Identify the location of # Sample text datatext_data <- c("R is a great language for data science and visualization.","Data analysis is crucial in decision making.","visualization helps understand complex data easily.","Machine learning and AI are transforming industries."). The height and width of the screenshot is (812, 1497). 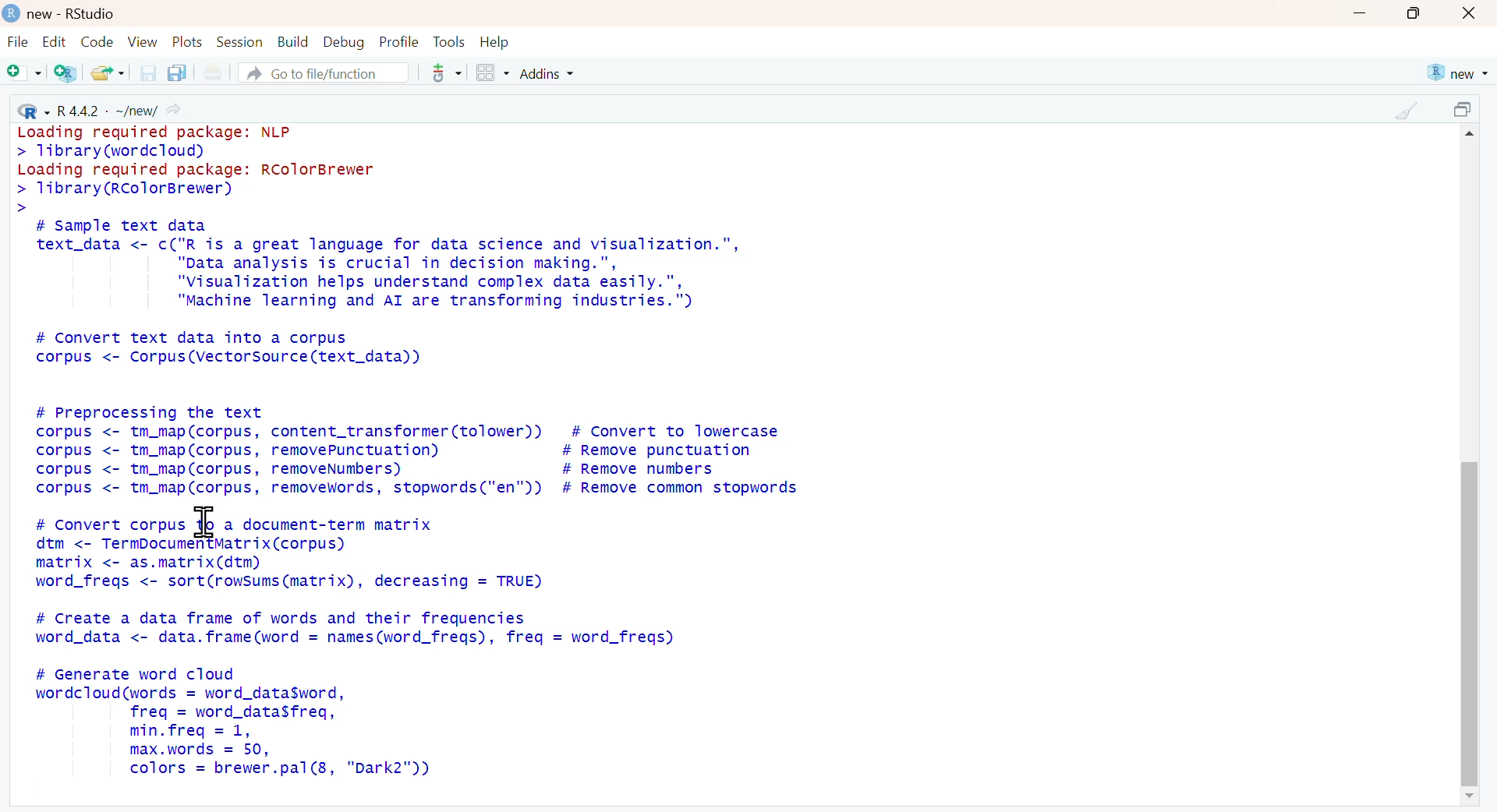
(388, 265).